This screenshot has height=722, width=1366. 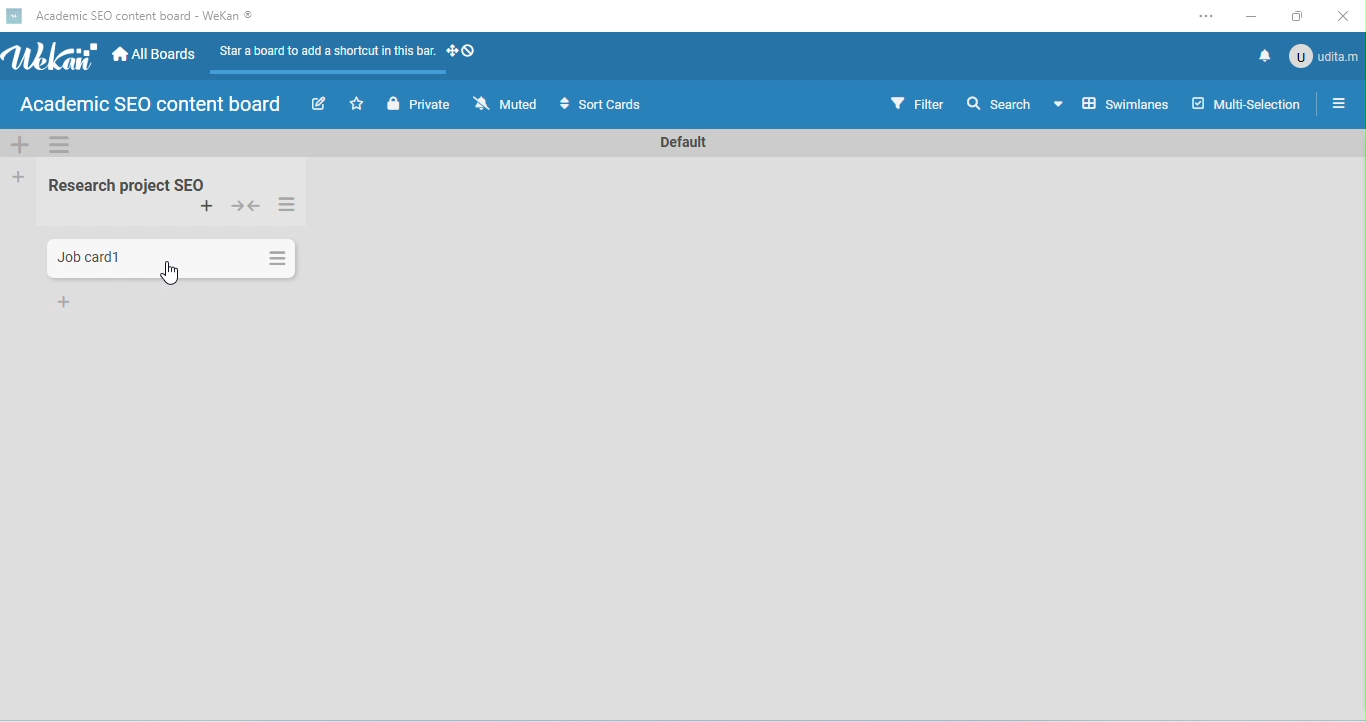 I want to click on maximize, so click(x=1298, y=17).